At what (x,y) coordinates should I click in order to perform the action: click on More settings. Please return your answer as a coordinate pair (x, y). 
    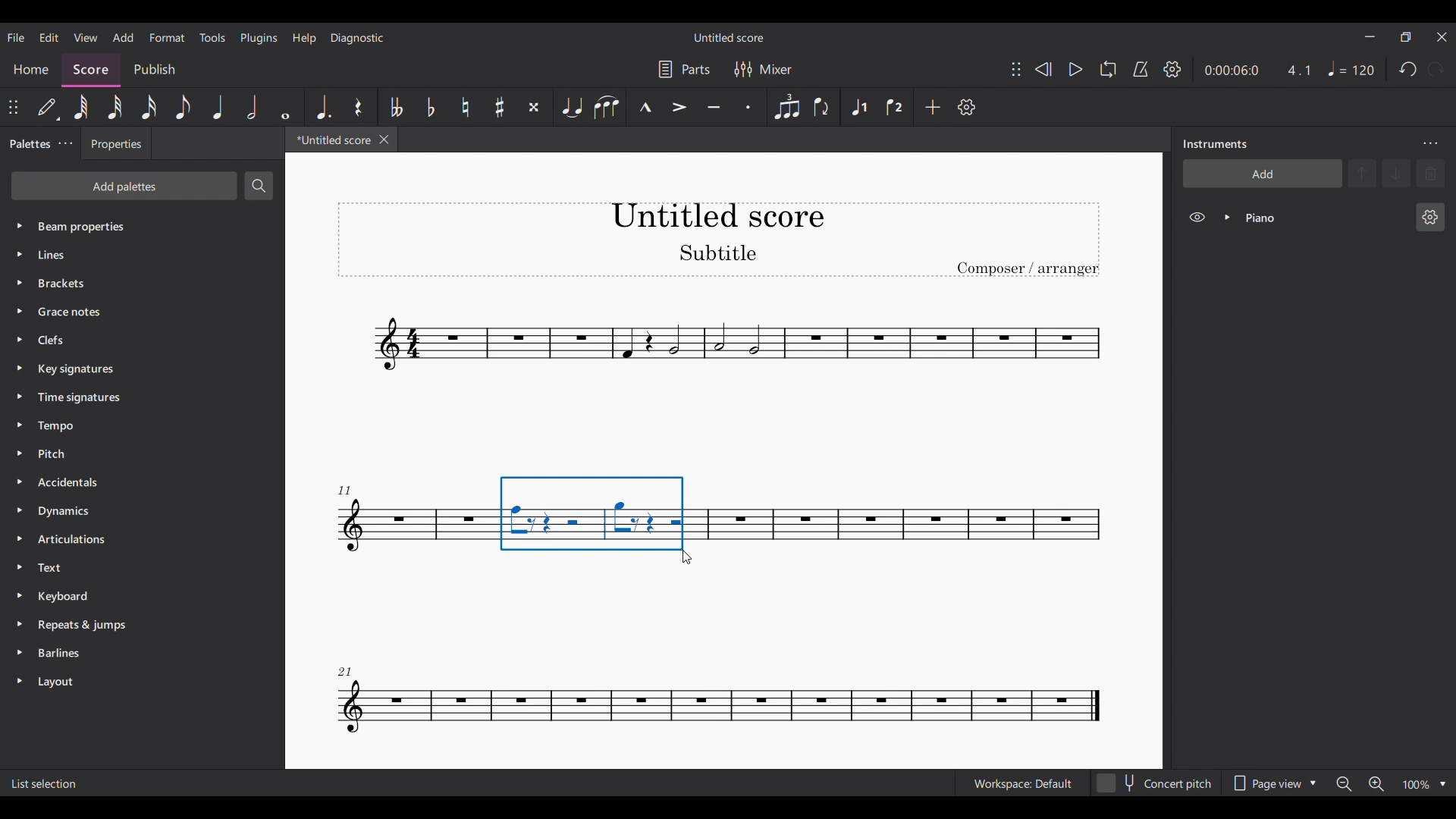
    Looking at the image, I should click on (65, 144).